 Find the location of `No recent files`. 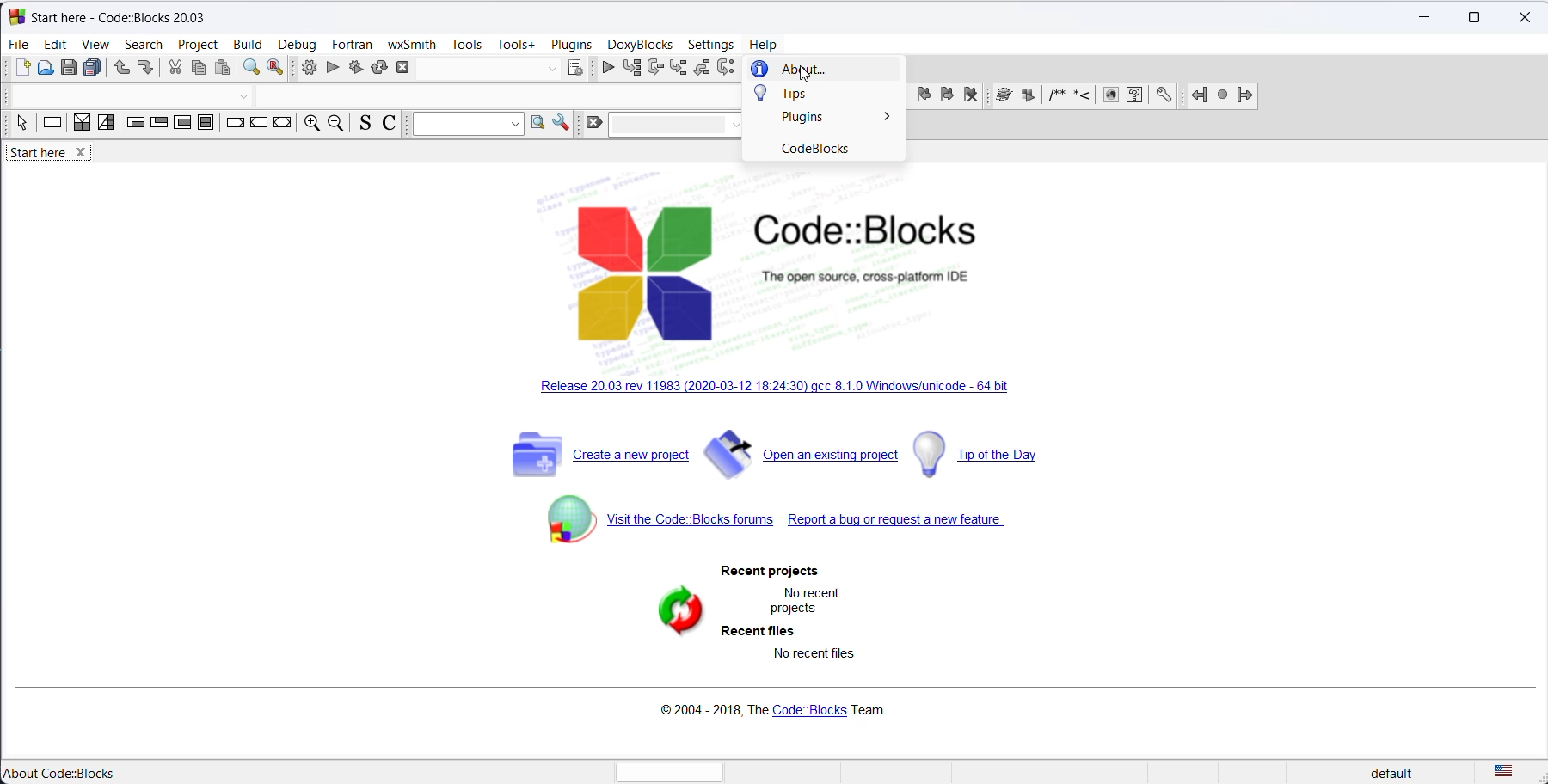

No recent files is located at coordinates (814, 652).